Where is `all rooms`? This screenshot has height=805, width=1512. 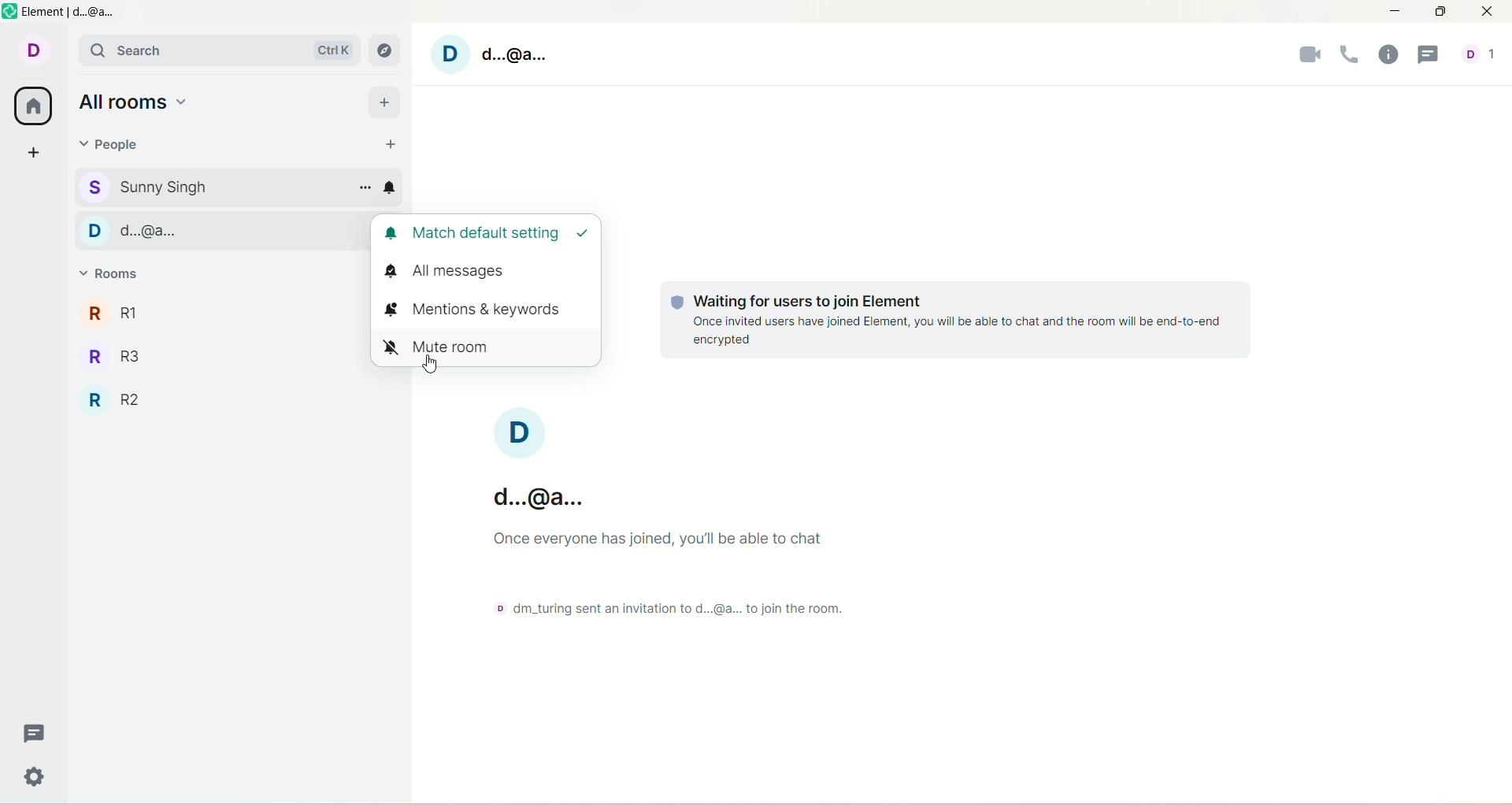
all rooms is located at coordinates (141, 105).